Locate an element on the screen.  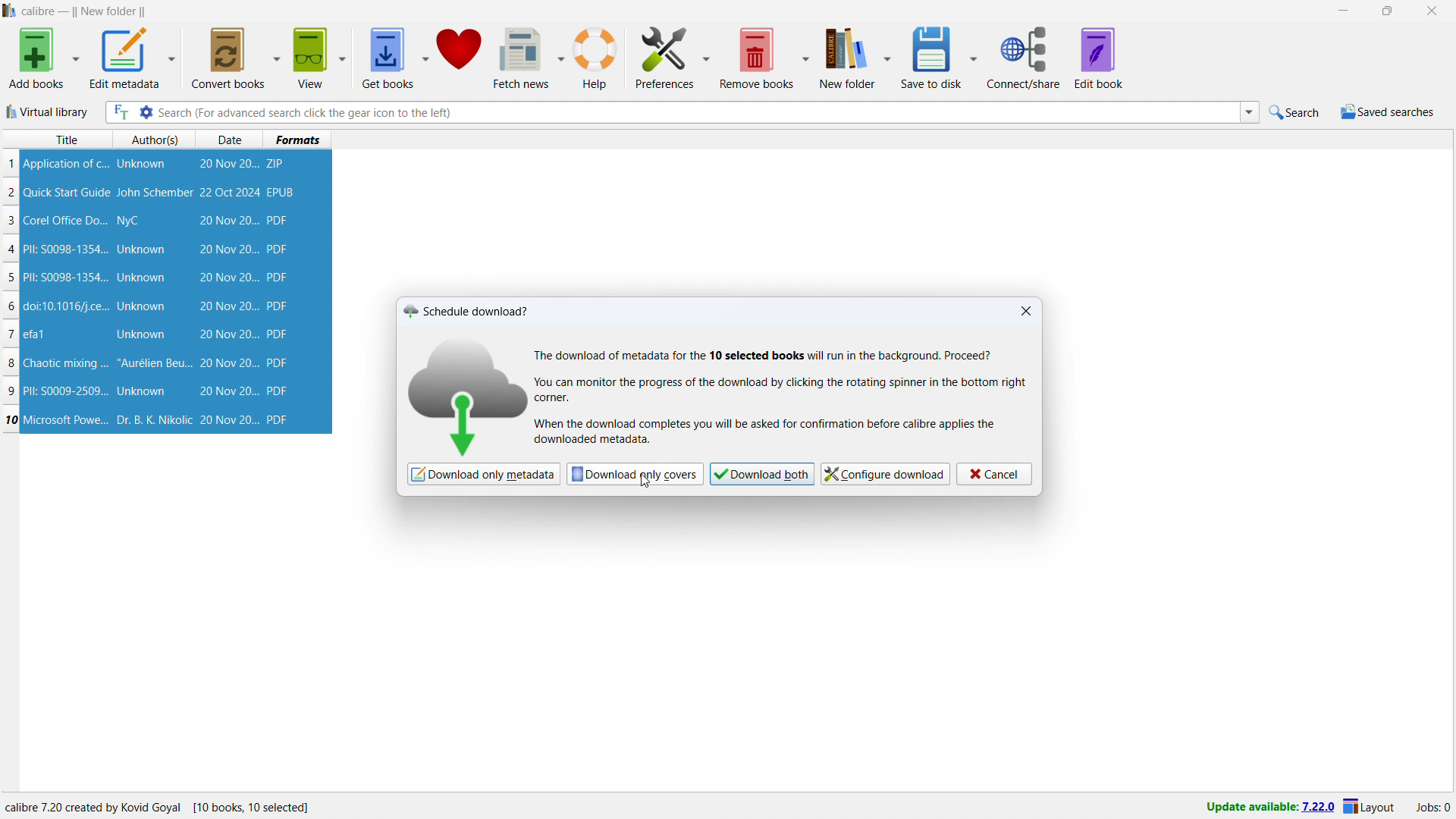
20 Nov 20... is located at coordinates (227, 334).